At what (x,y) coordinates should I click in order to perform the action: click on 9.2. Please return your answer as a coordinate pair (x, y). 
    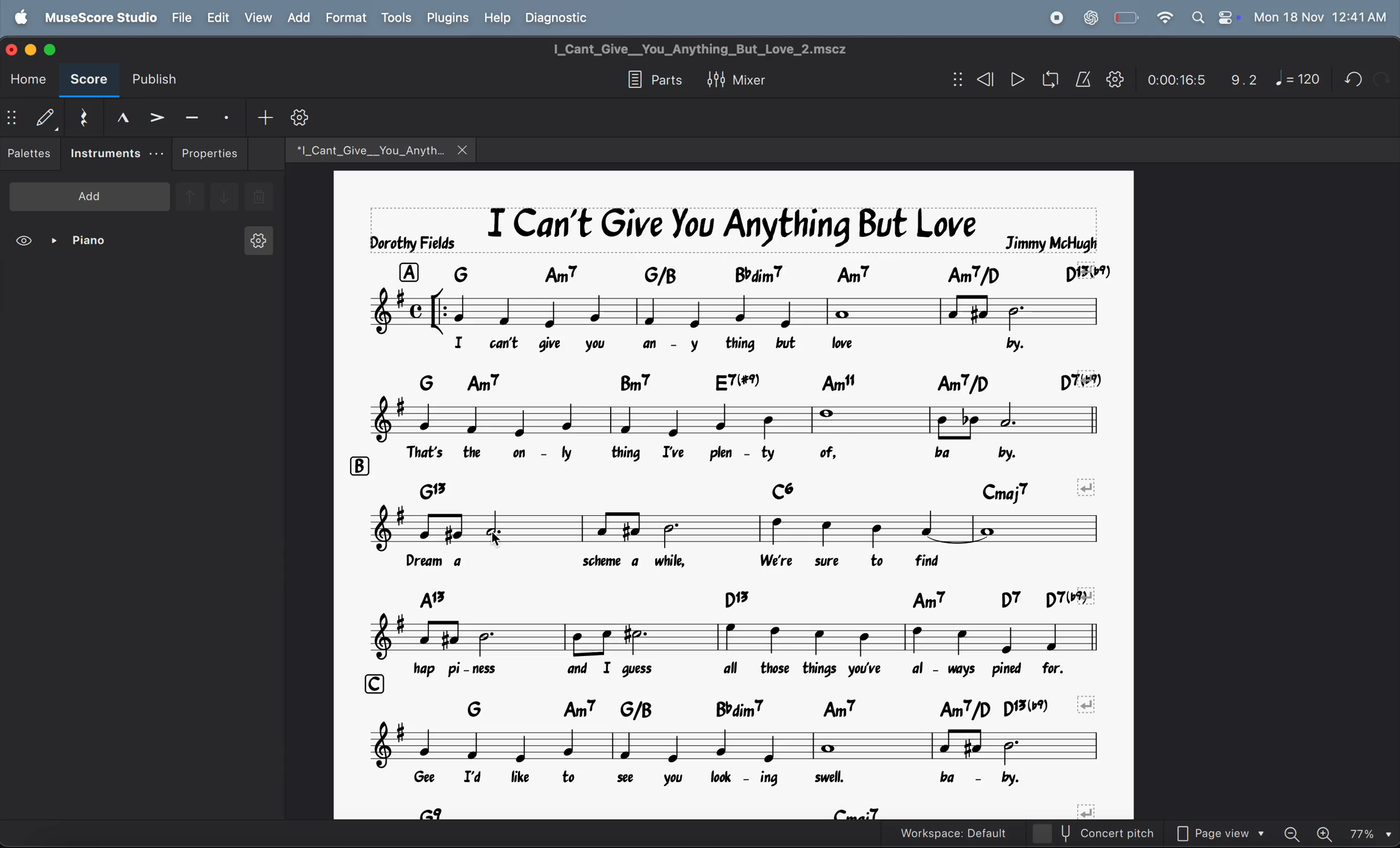
    Looking at the image, I should click on (1239, 80).